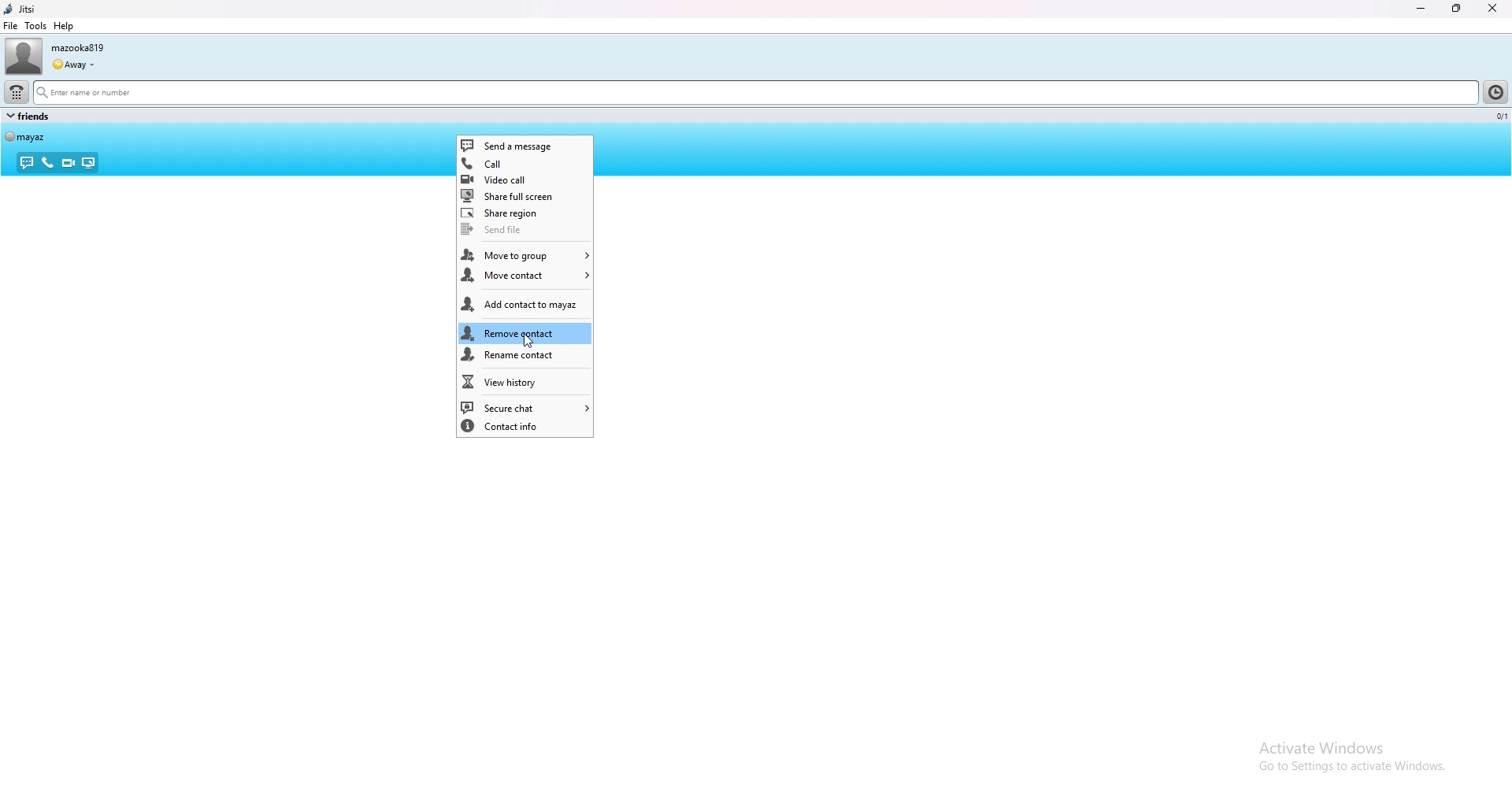 This screenshot has width=1512, height=811. Describe the element at coordinates (524, 356) in the screenshot. I see `rename contact` at that location.